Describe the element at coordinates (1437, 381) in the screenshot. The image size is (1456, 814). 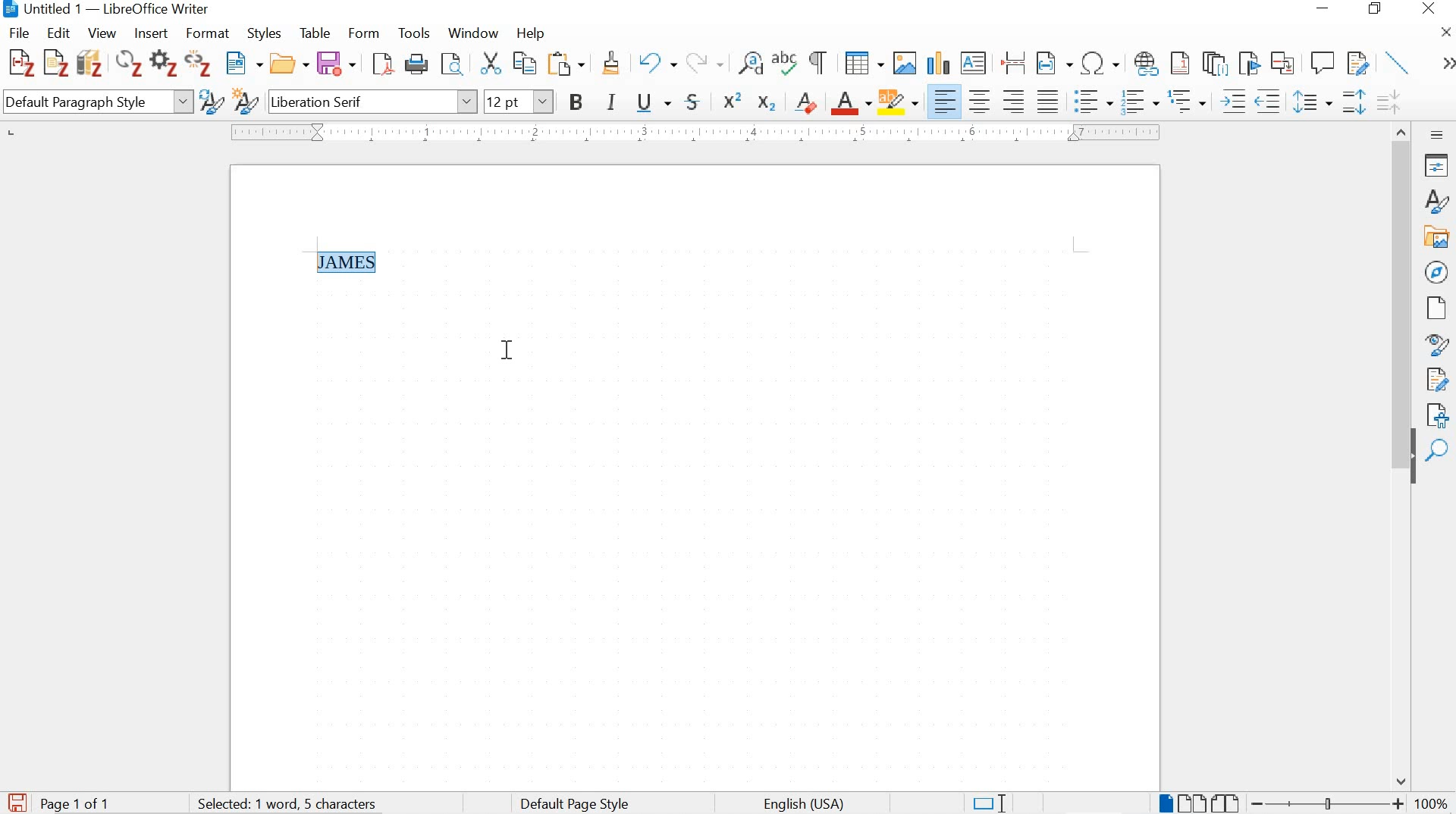
I see `manage changes` at that location.